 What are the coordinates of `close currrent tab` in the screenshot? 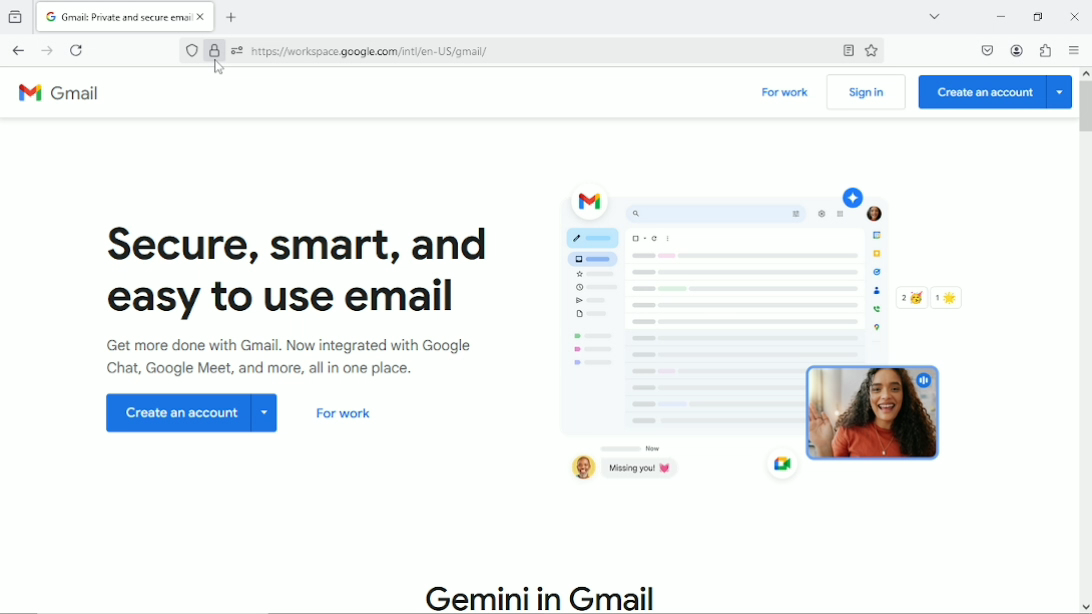 It's located at (203, 17).